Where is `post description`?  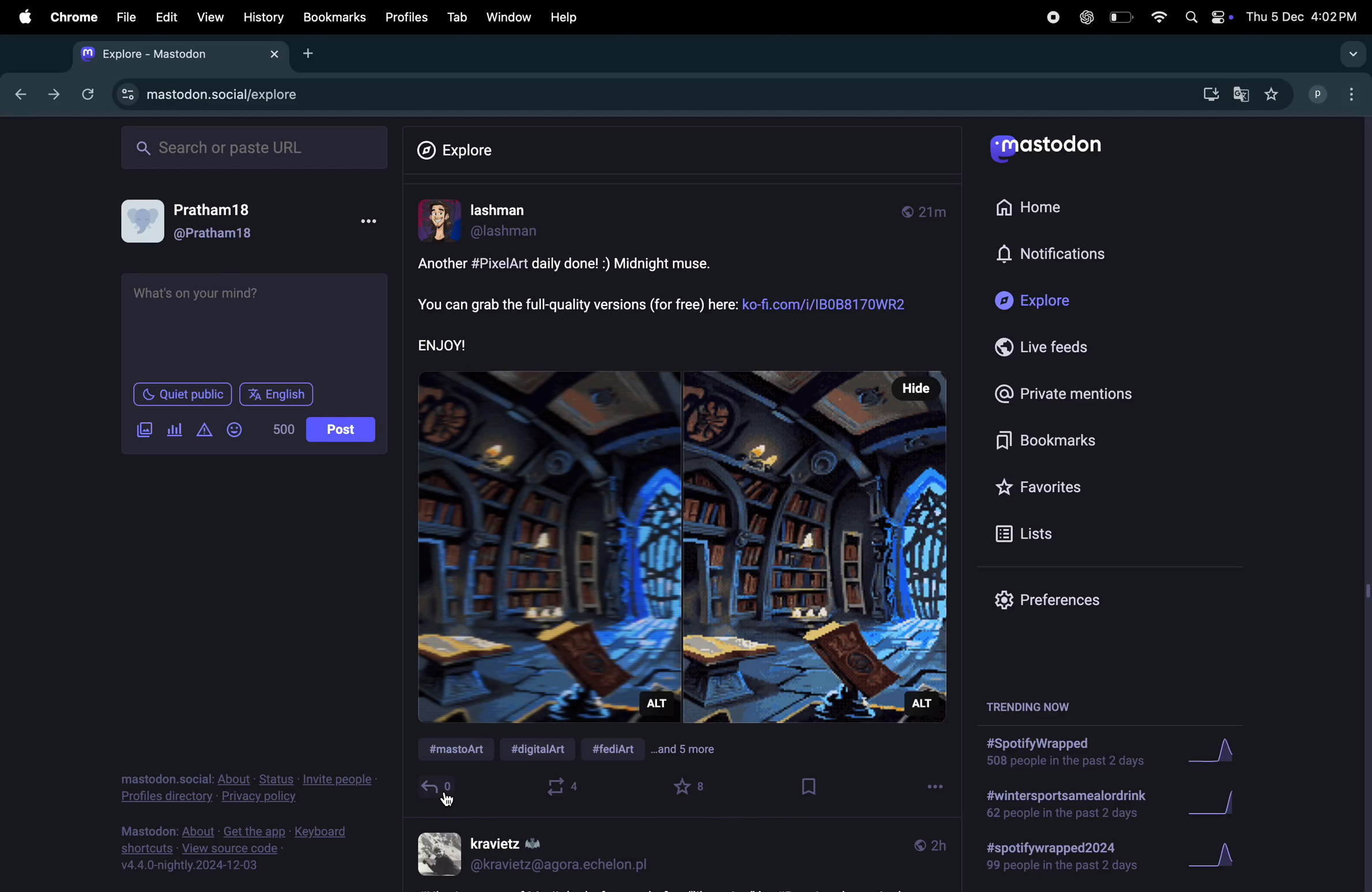
post description is located at coordinates (669, 304).